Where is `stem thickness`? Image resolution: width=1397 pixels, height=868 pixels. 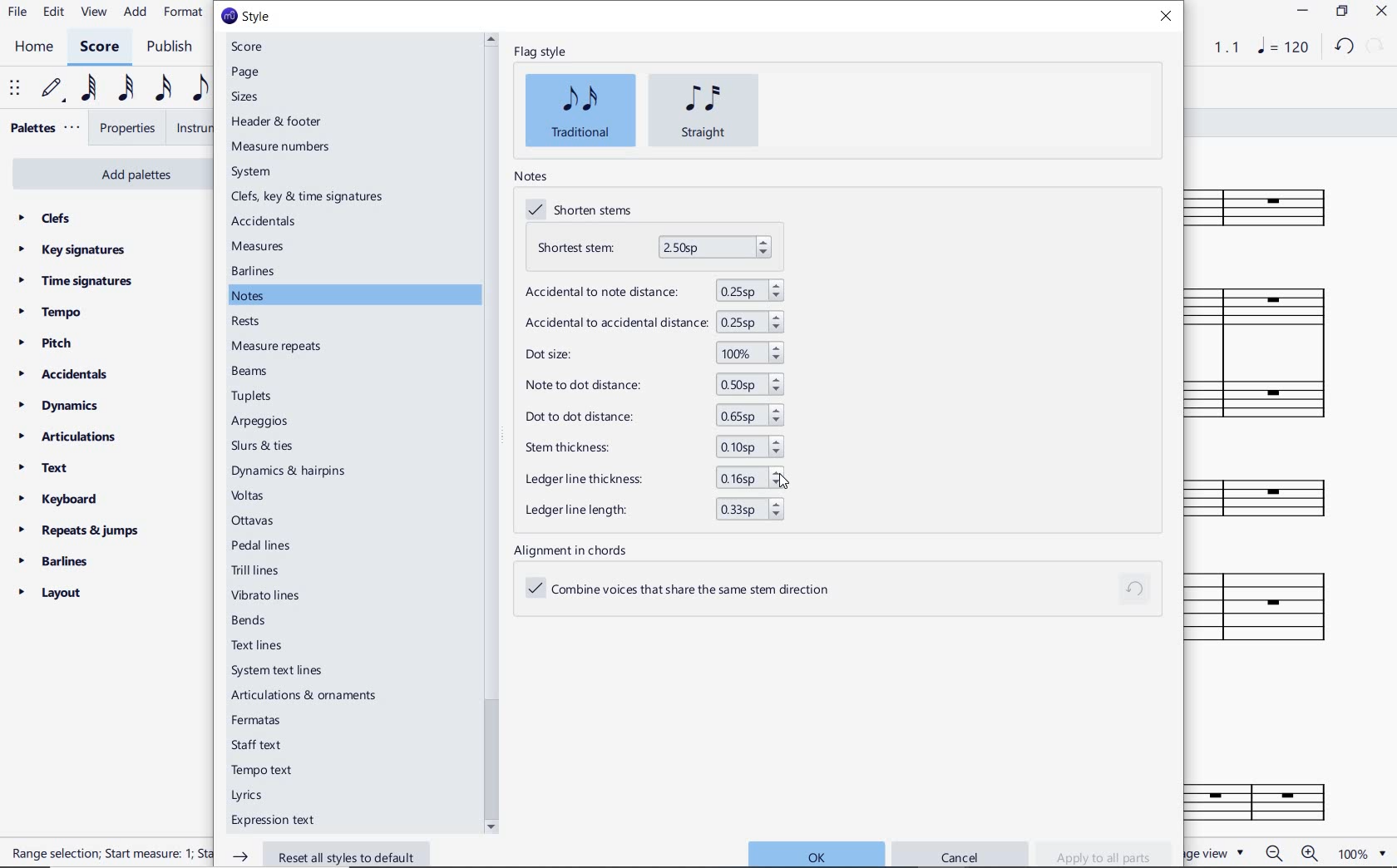
stem thickness is located at coordinates (649, 449).